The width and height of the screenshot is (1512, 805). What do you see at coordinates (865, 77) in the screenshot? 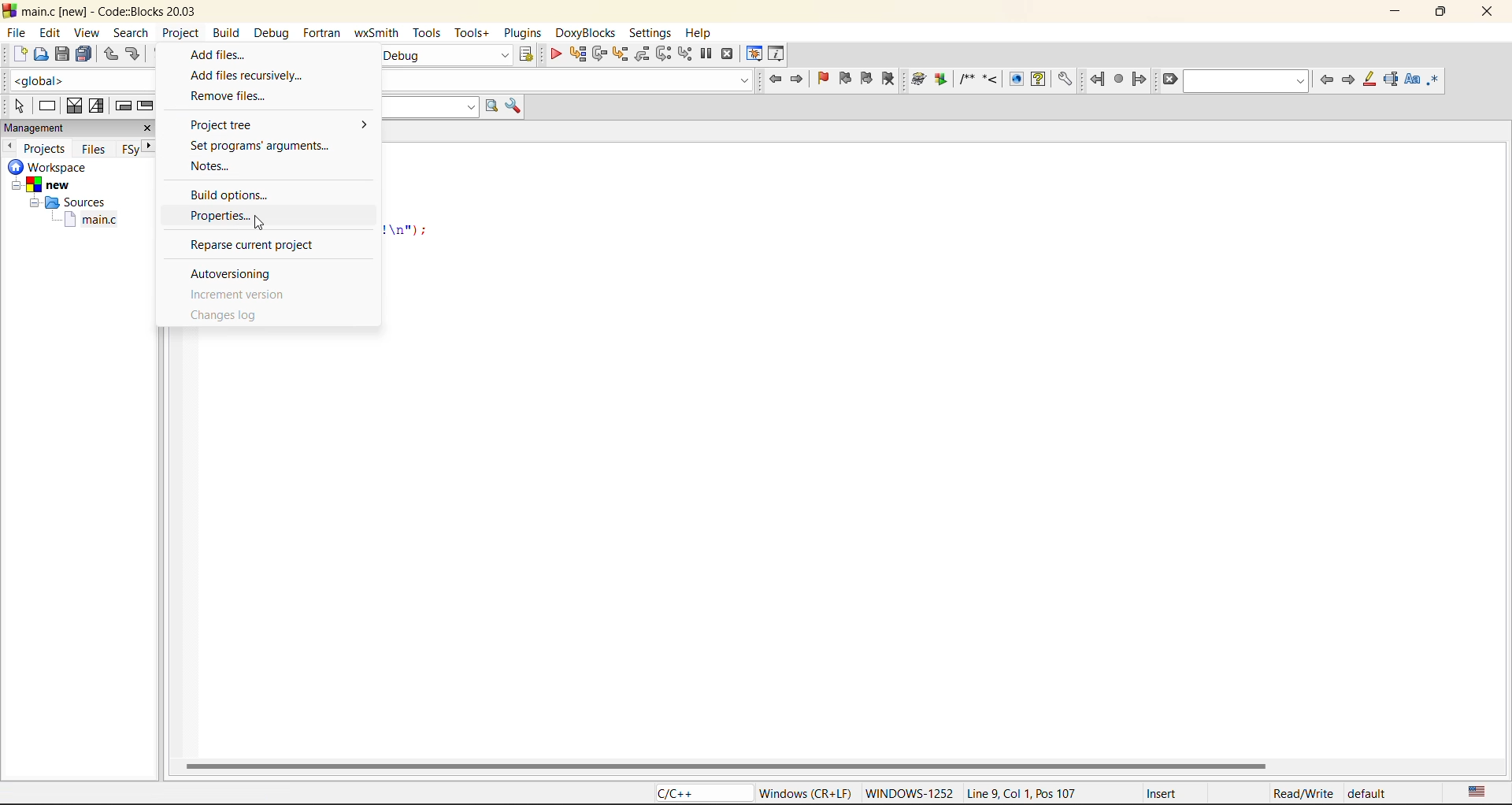
I see `next bookmark` at bounding box center [865, 77].